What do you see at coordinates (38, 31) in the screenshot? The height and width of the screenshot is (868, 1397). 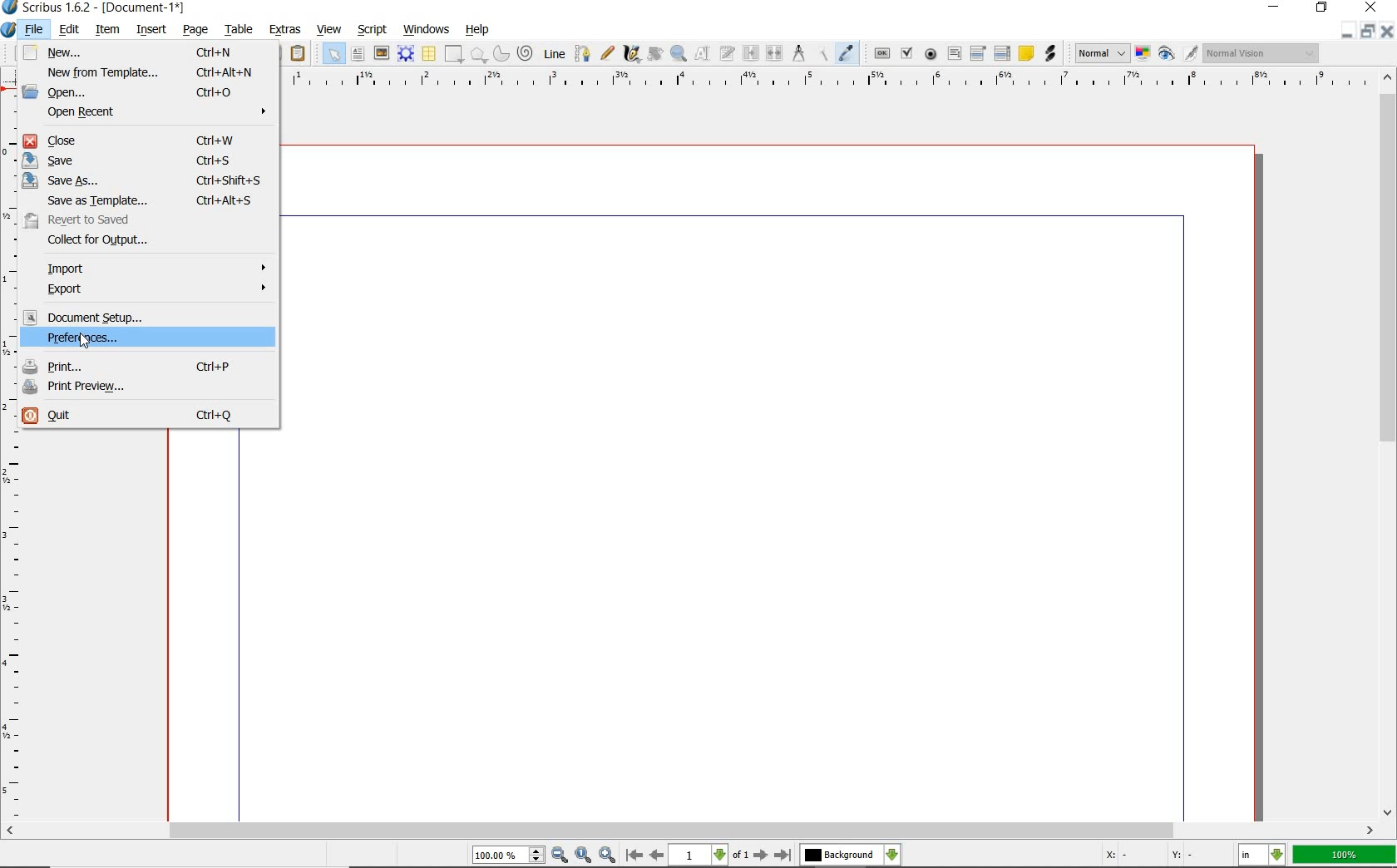 I see `file` at bounding box center [38, 31].